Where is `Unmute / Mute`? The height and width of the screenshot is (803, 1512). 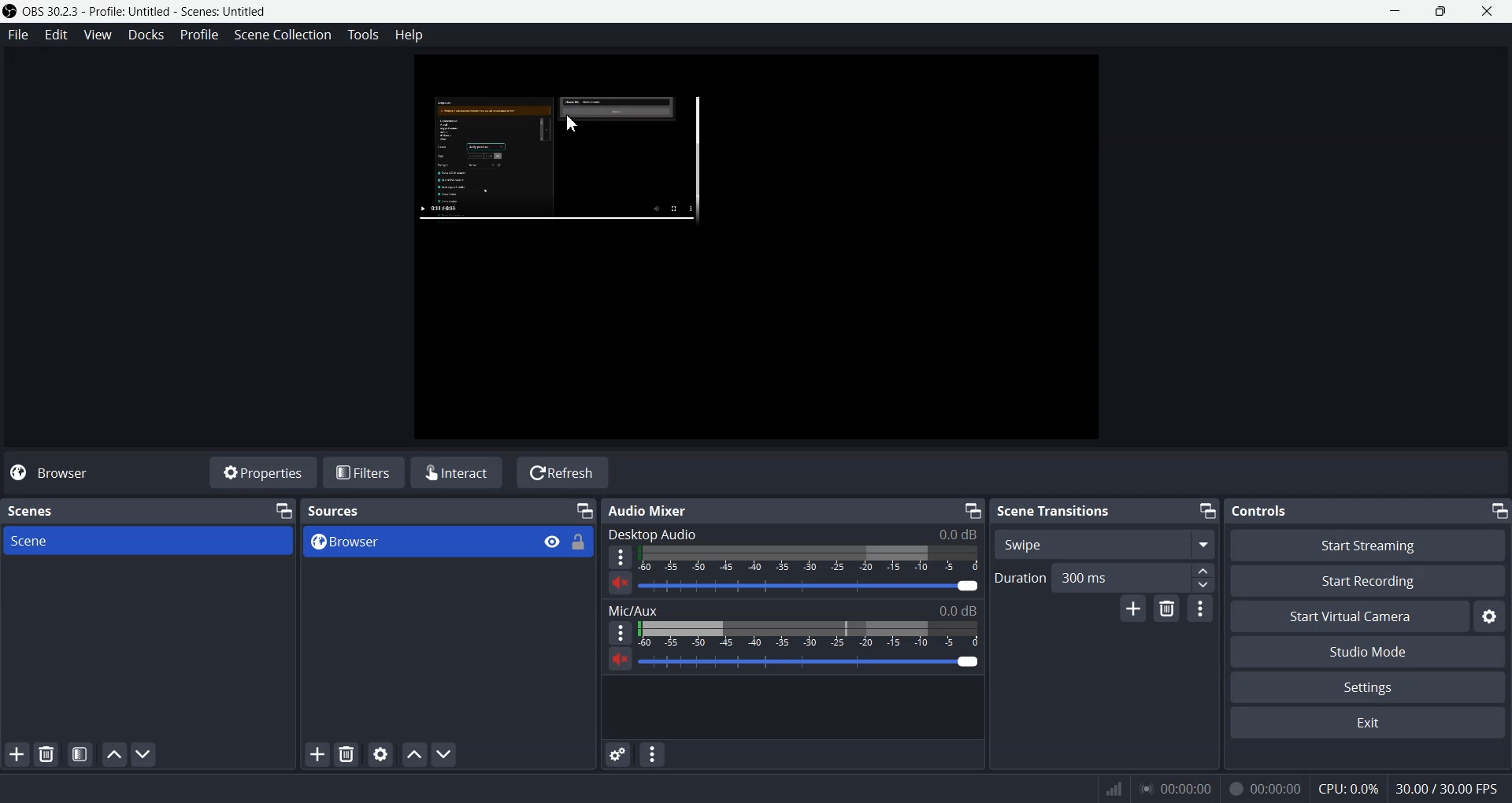
Unmute / Mute is located at coordinates (620, 583).